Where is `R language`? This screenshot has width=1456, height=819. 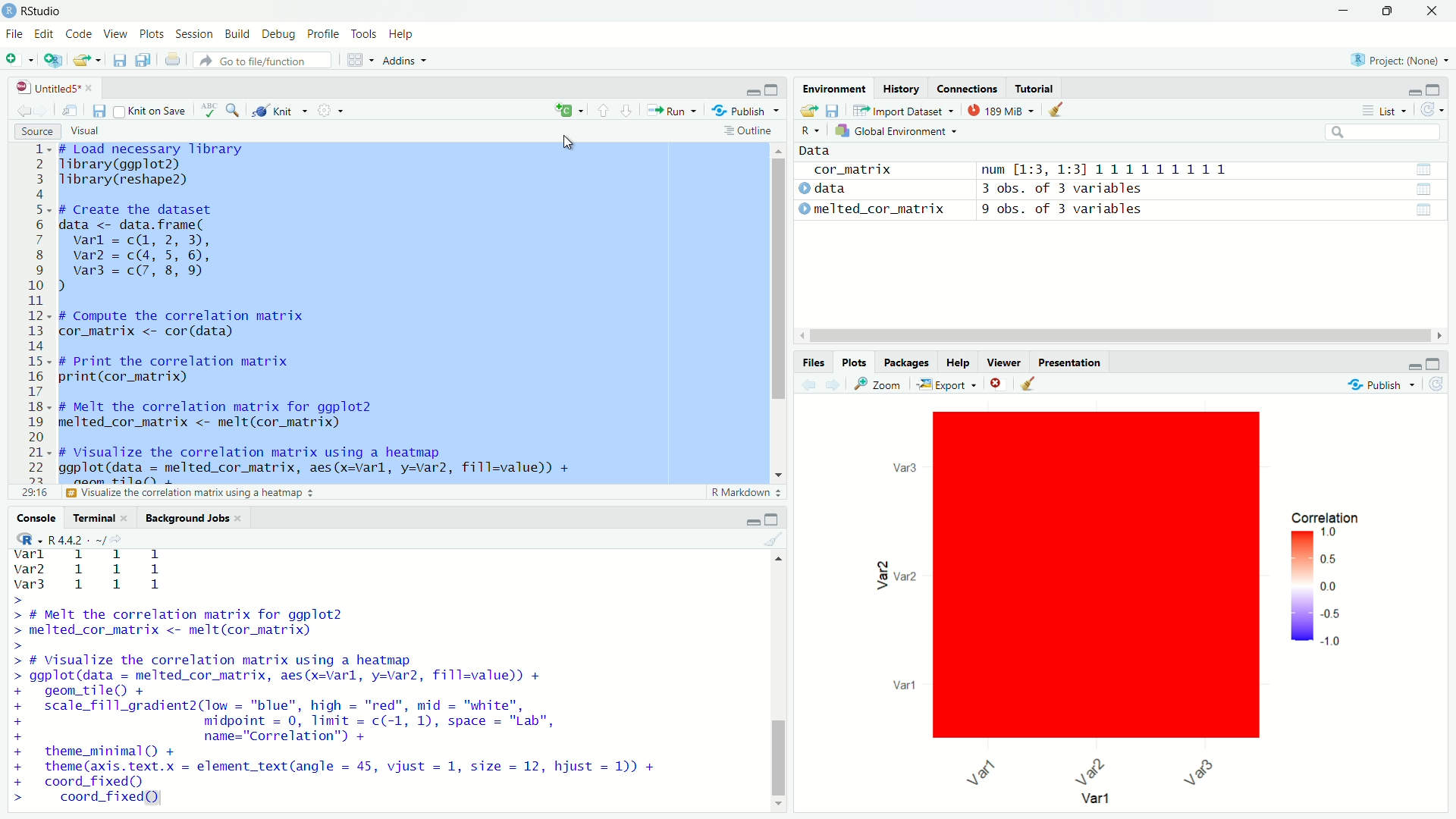
R language is located at coordinates (26, 538).